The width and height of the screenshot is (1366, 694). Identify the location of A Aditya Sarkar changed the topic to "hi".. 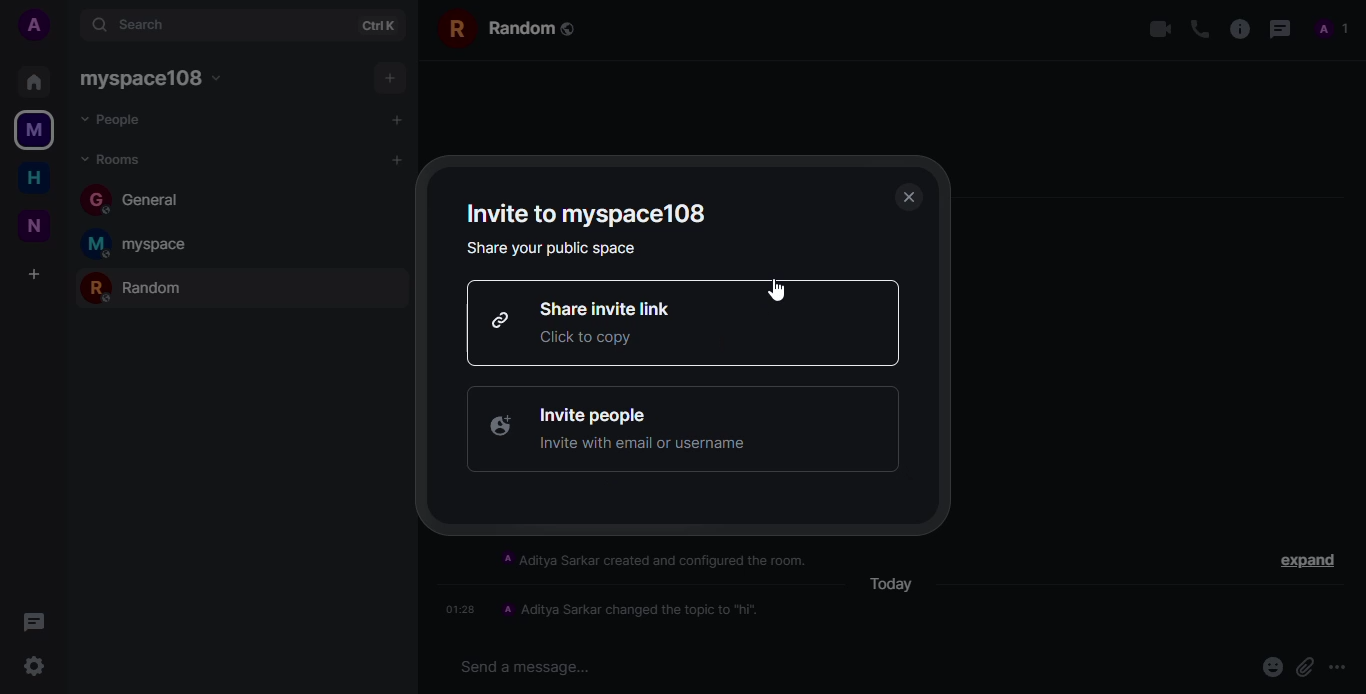
(642, 609).